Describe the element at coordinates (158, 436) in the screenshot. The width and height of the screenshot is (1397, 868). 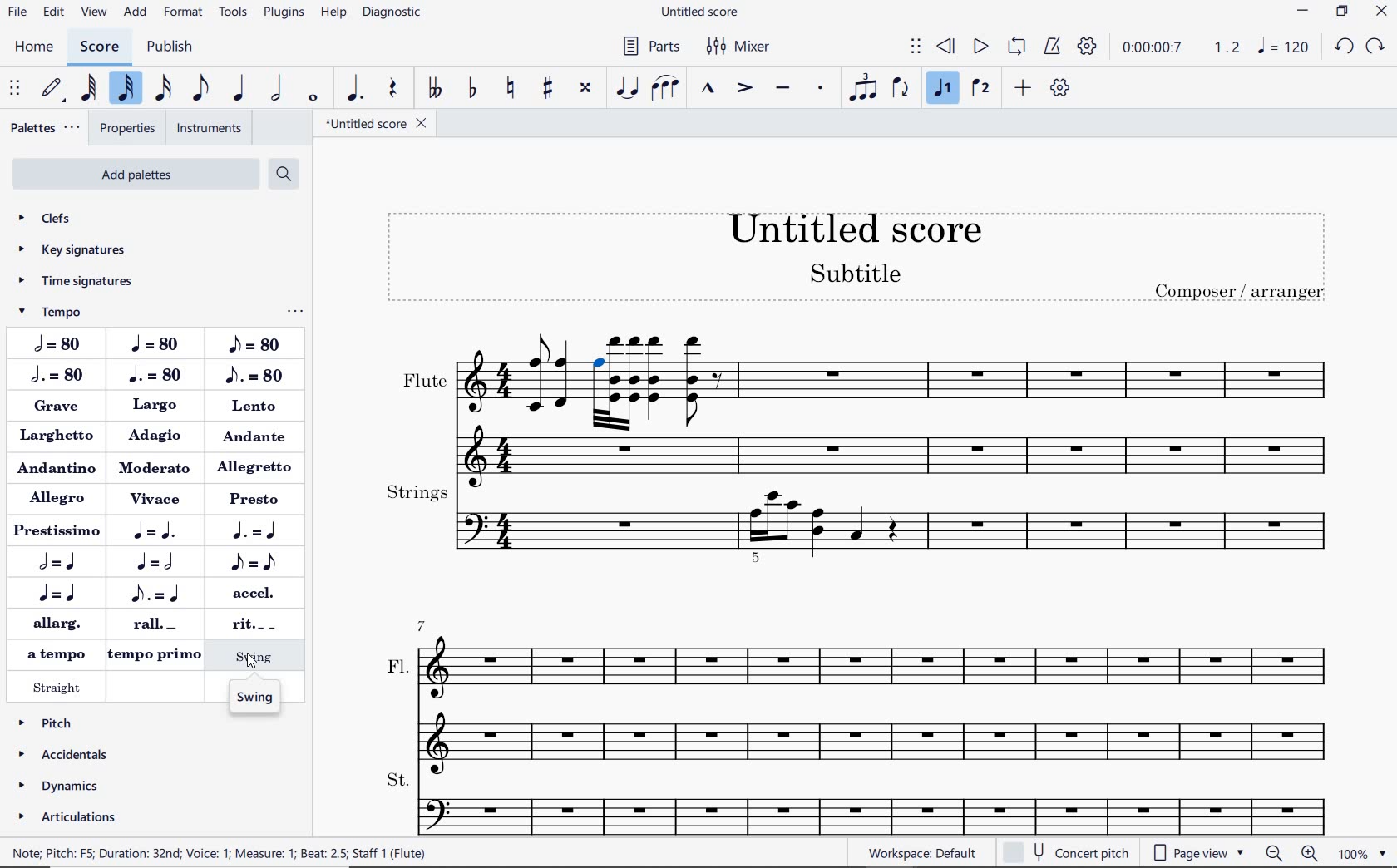
I see `ADAGIO` at that location.